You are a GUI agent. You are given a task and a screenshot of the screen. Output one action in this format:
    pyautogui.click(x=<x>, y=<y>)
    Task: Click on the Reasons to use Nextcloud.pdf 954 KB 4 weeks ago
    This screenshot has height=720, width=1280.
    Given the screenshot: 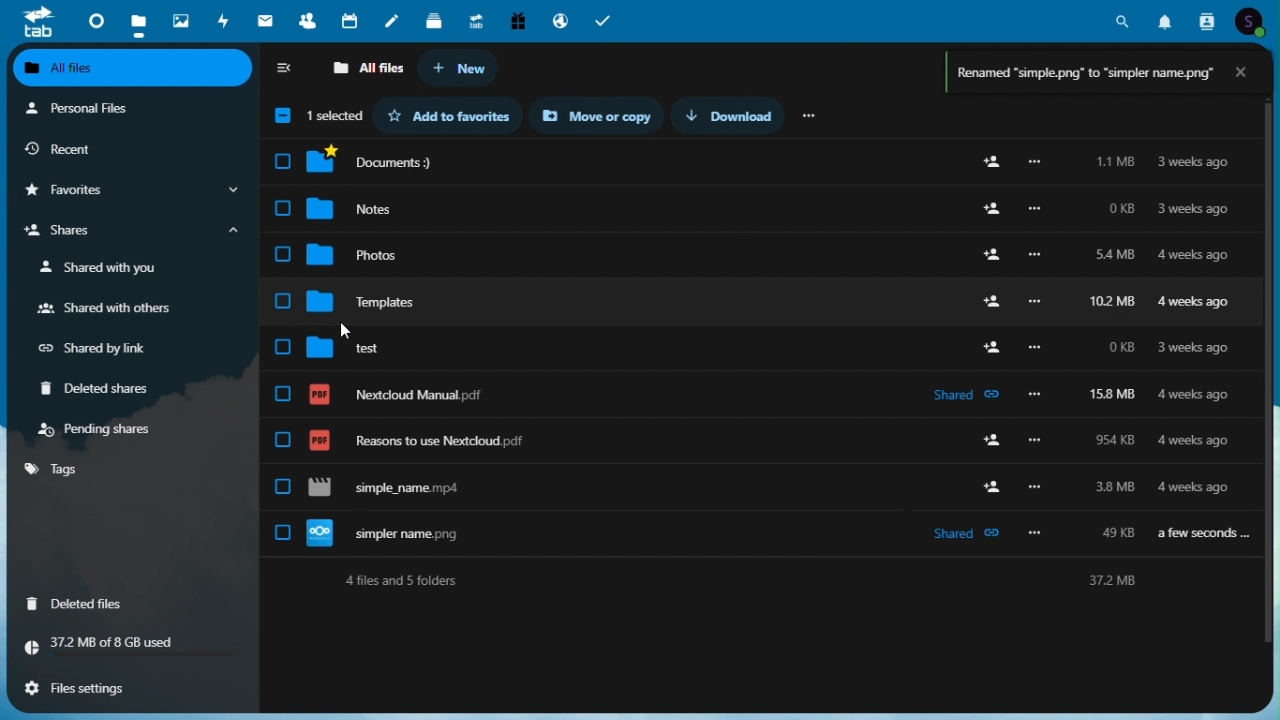 What is the action you would take?
    pyautogui.click(x=761, y=432)
    